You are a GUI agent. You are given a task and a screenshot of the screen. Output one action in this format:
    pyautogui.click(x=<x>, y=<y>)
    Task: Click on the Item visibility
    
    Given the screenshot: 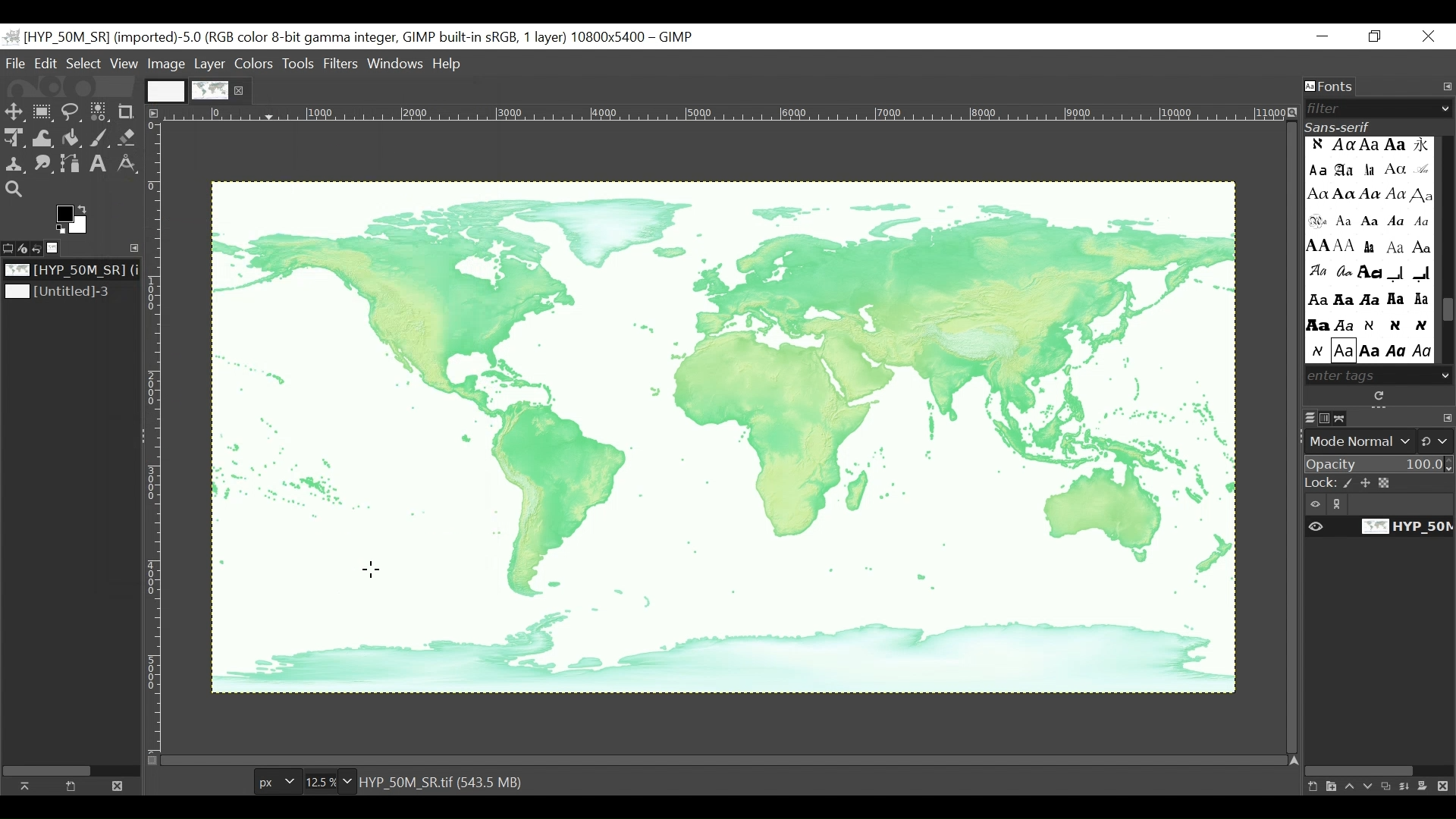 What is the action you would take?
    pyautogui.click(x=1379, y=504)
    